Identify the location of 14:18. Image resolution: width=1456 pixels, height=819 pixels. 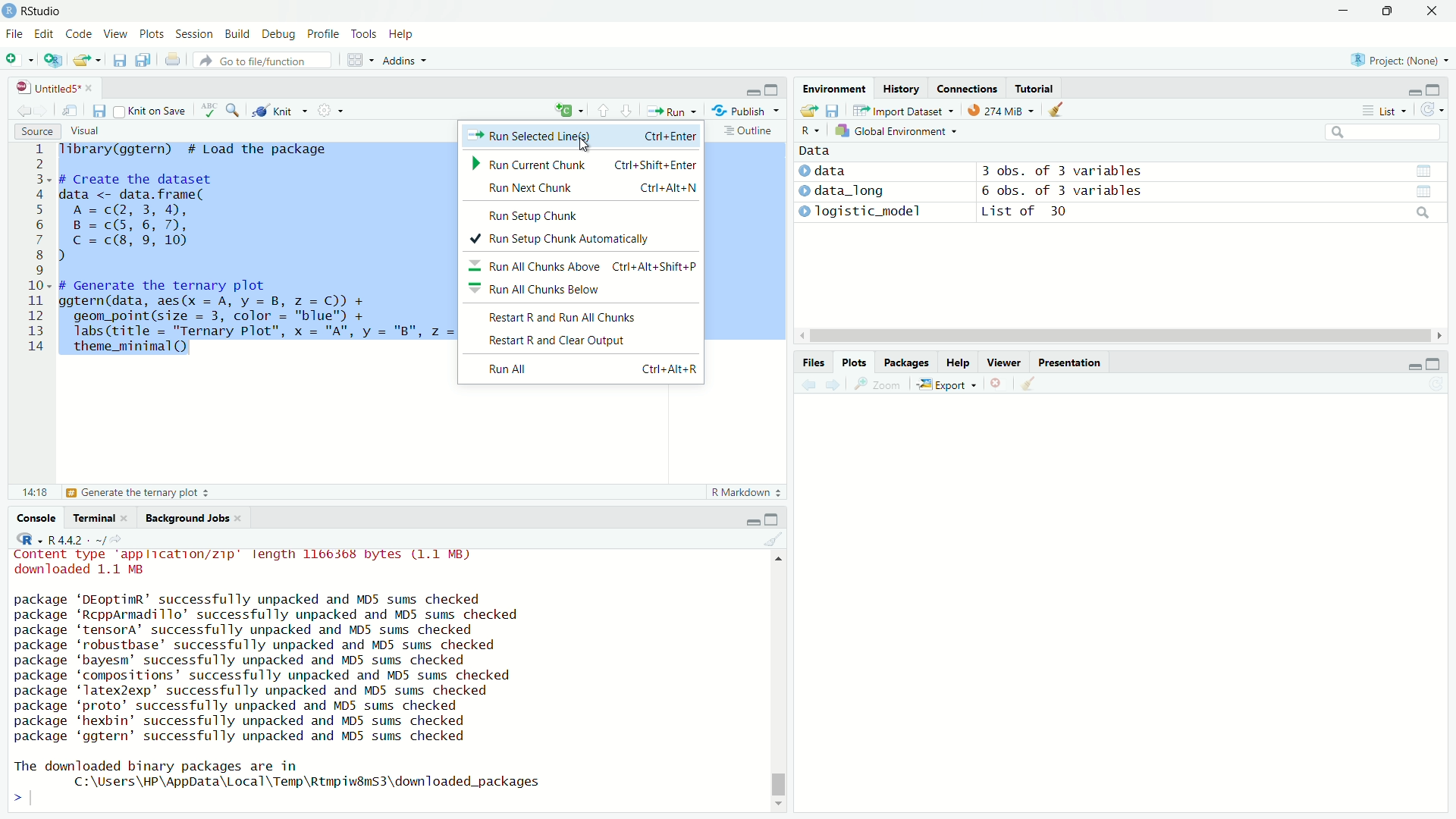
(33, 491).